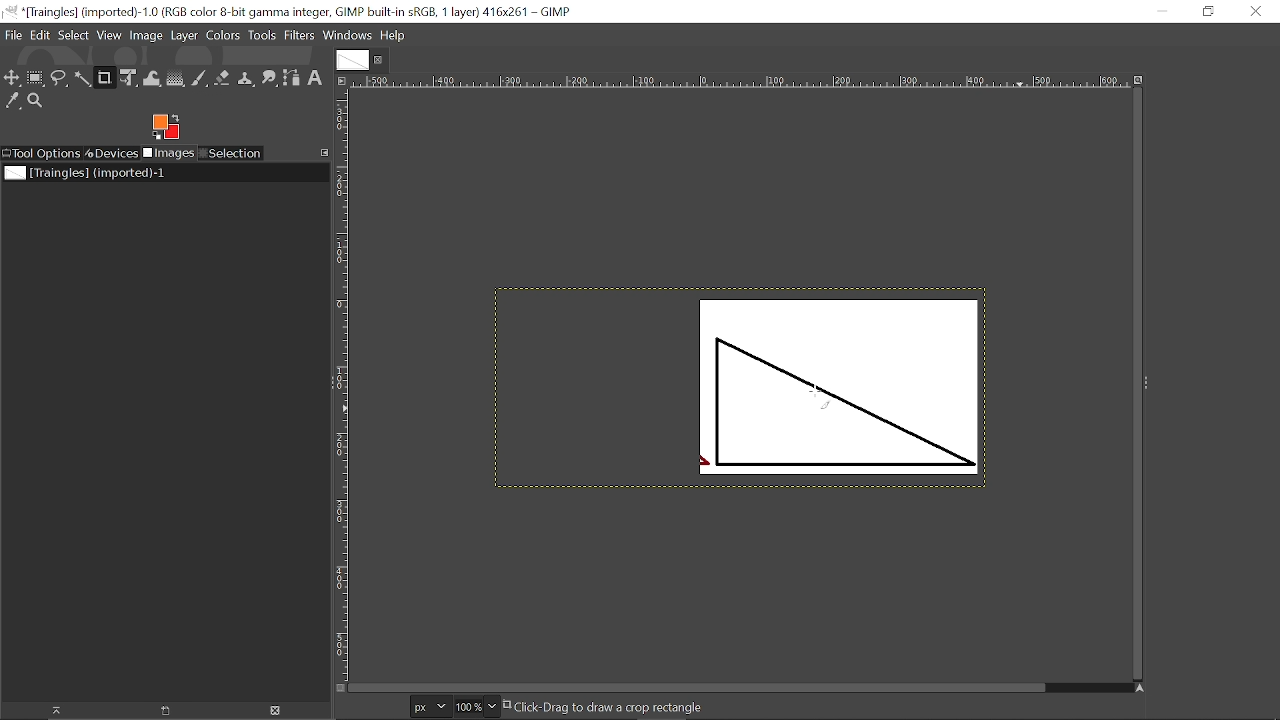 This screenshot has height=720, width=1280. I want to click on Crop tool, so click(105, 79).